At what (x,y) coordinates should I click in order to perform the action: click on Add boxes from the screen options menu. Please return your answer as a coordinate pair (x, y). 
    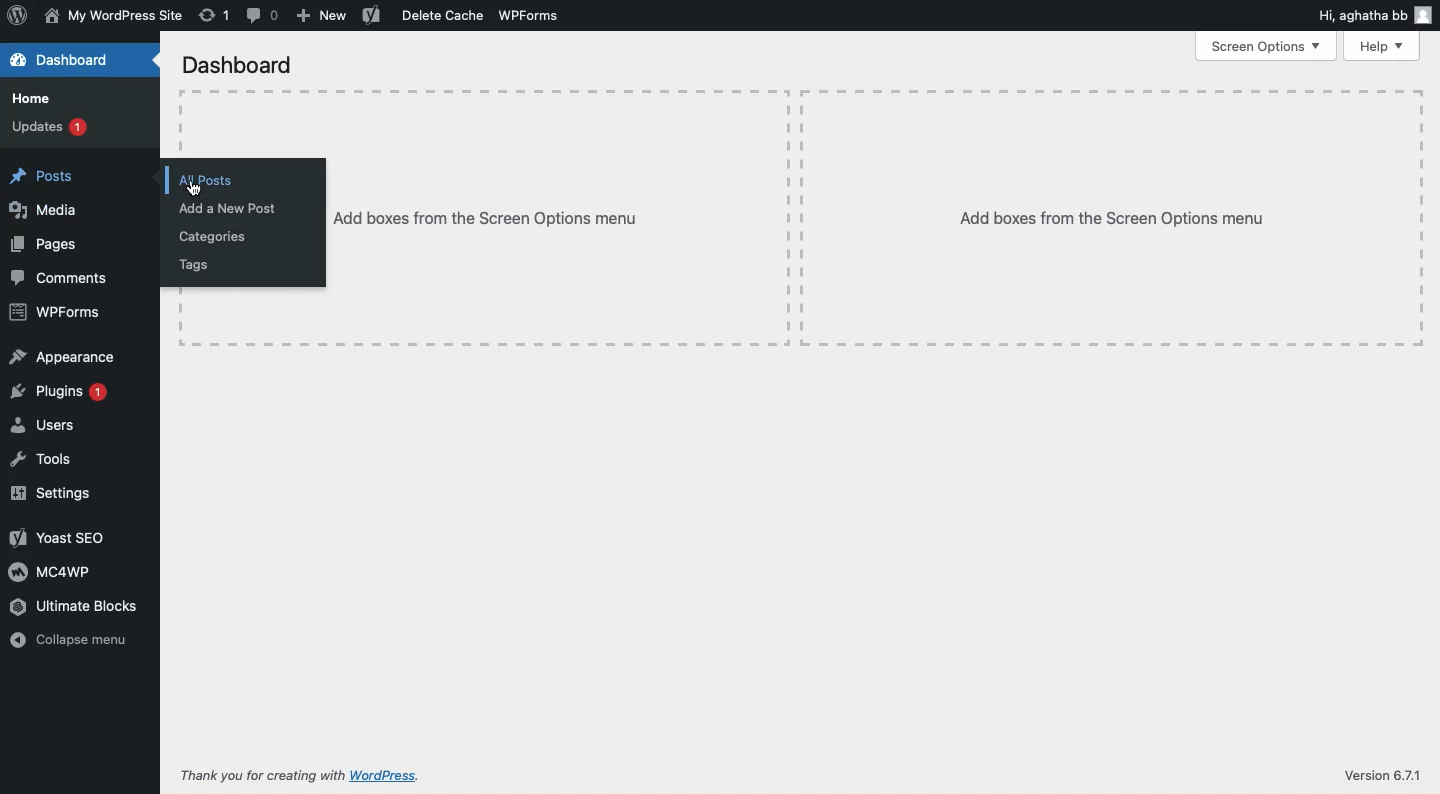
    Looking at the image, I should click on (559, 218).